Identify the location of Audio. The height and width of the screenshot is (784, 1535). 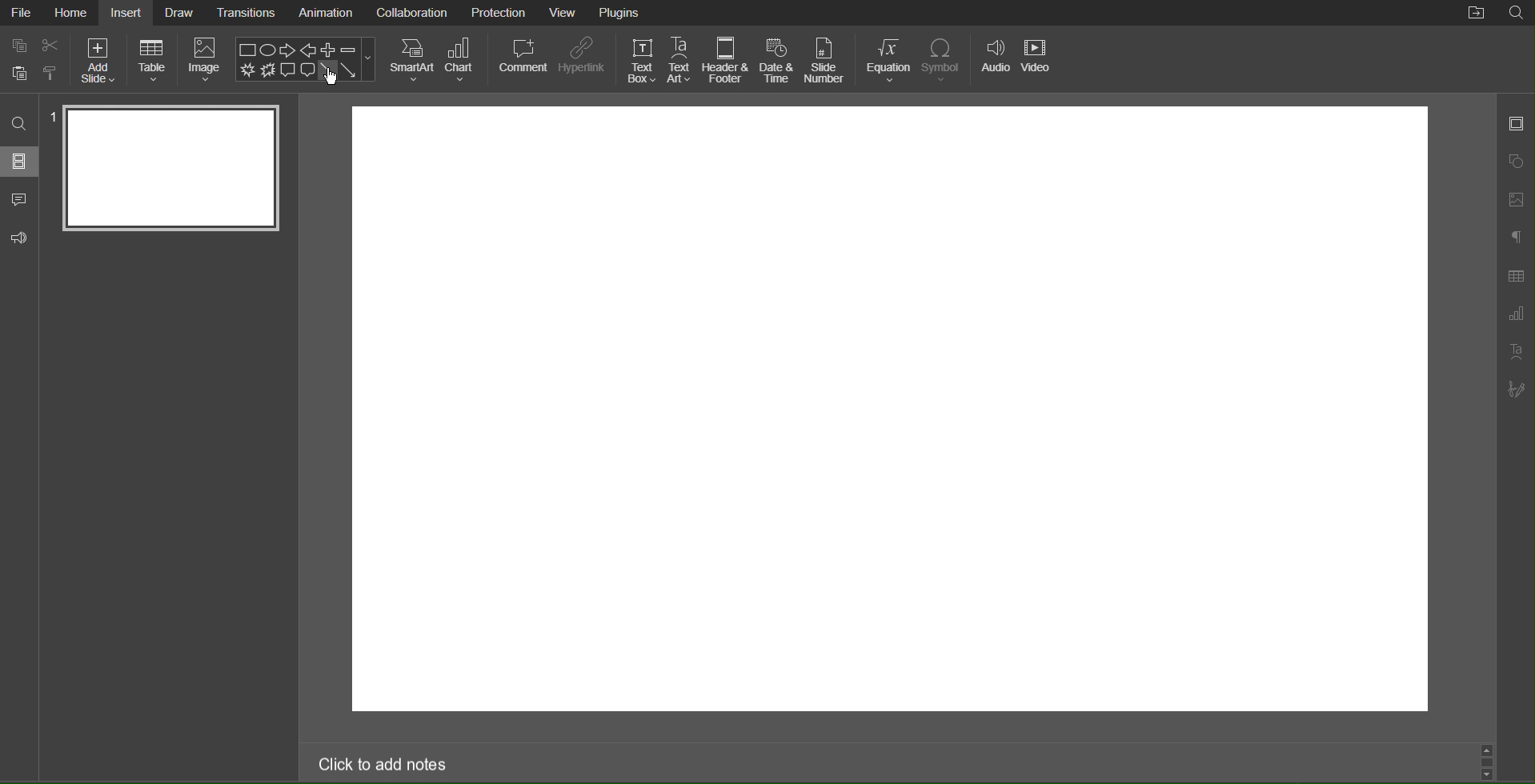
(996, 59).